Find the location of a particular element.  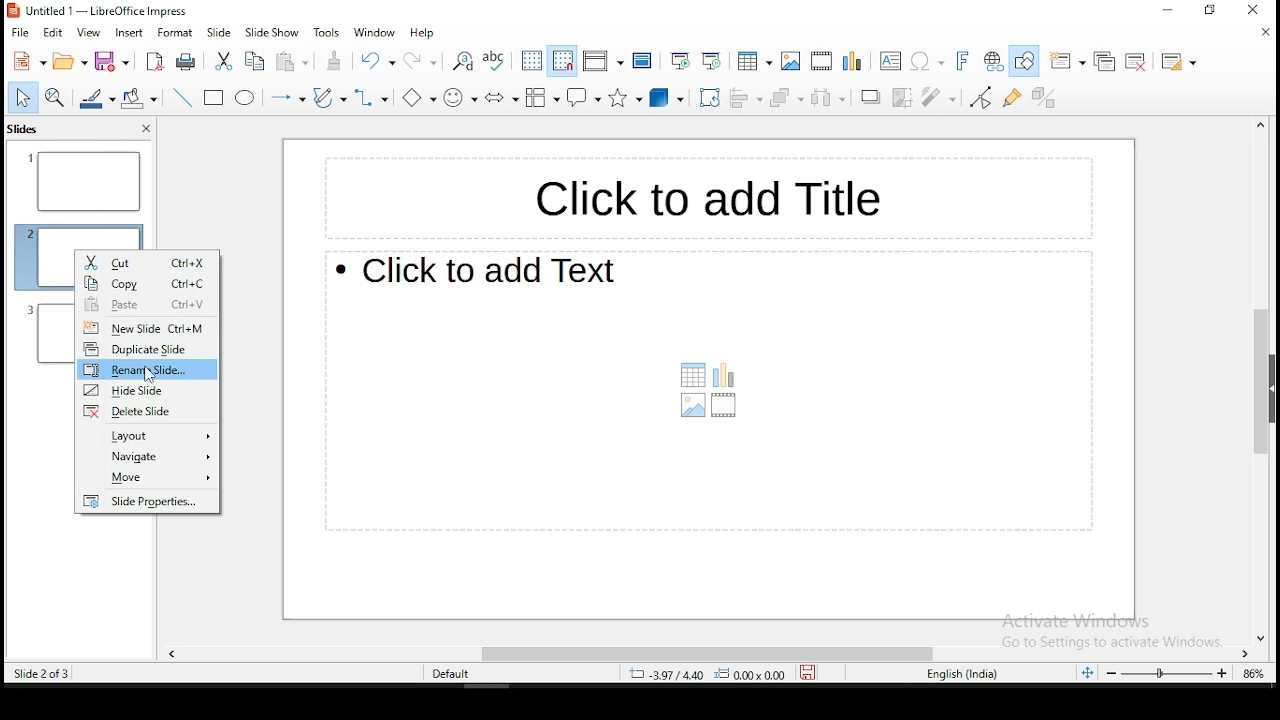

print is located at coordinates (185, 60).